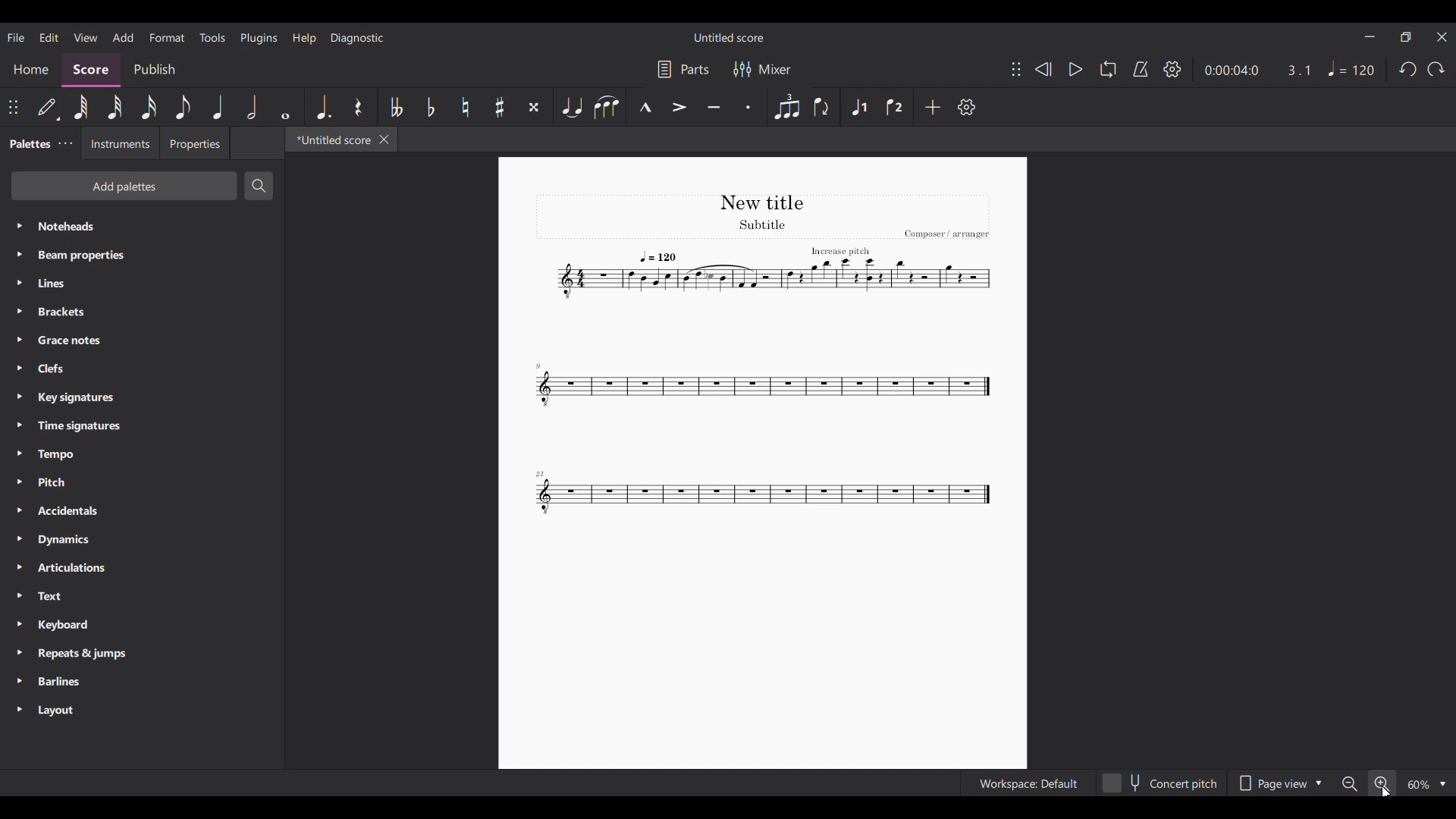  I want to click on Mixer settings, so click(763, 69).